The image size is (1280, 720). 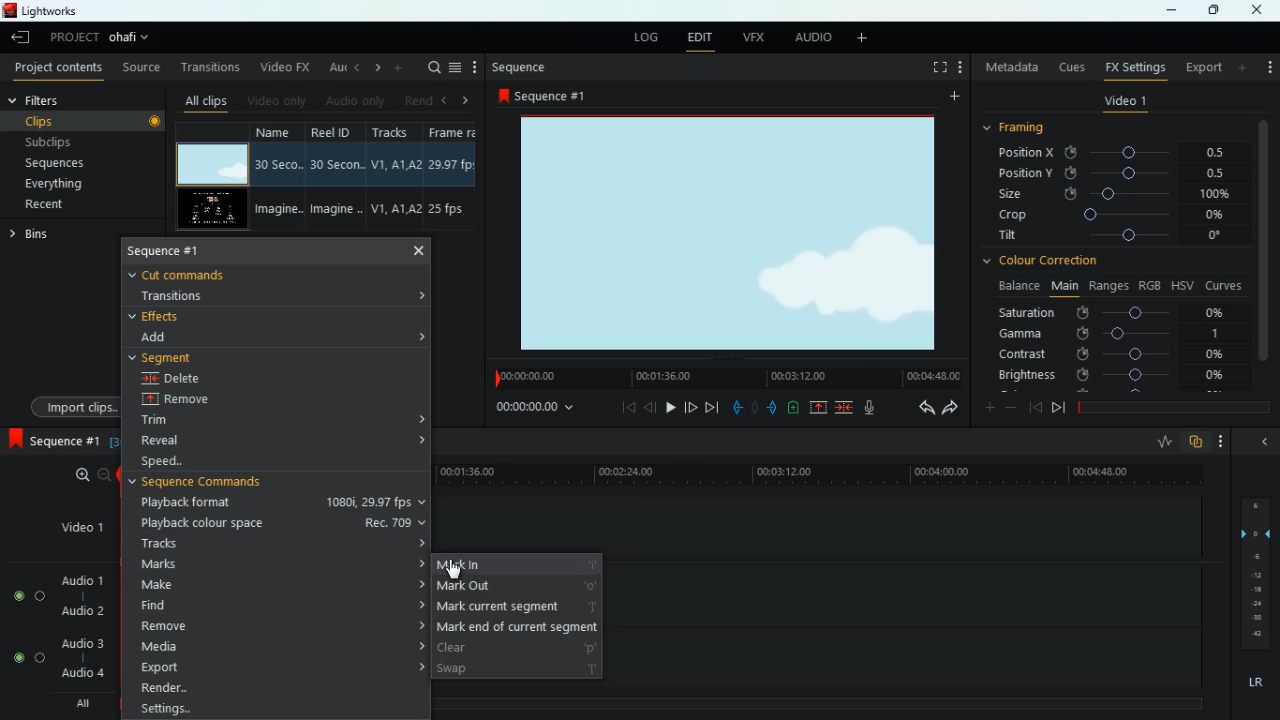 I want to click on size, so click(x=1111, y=194).